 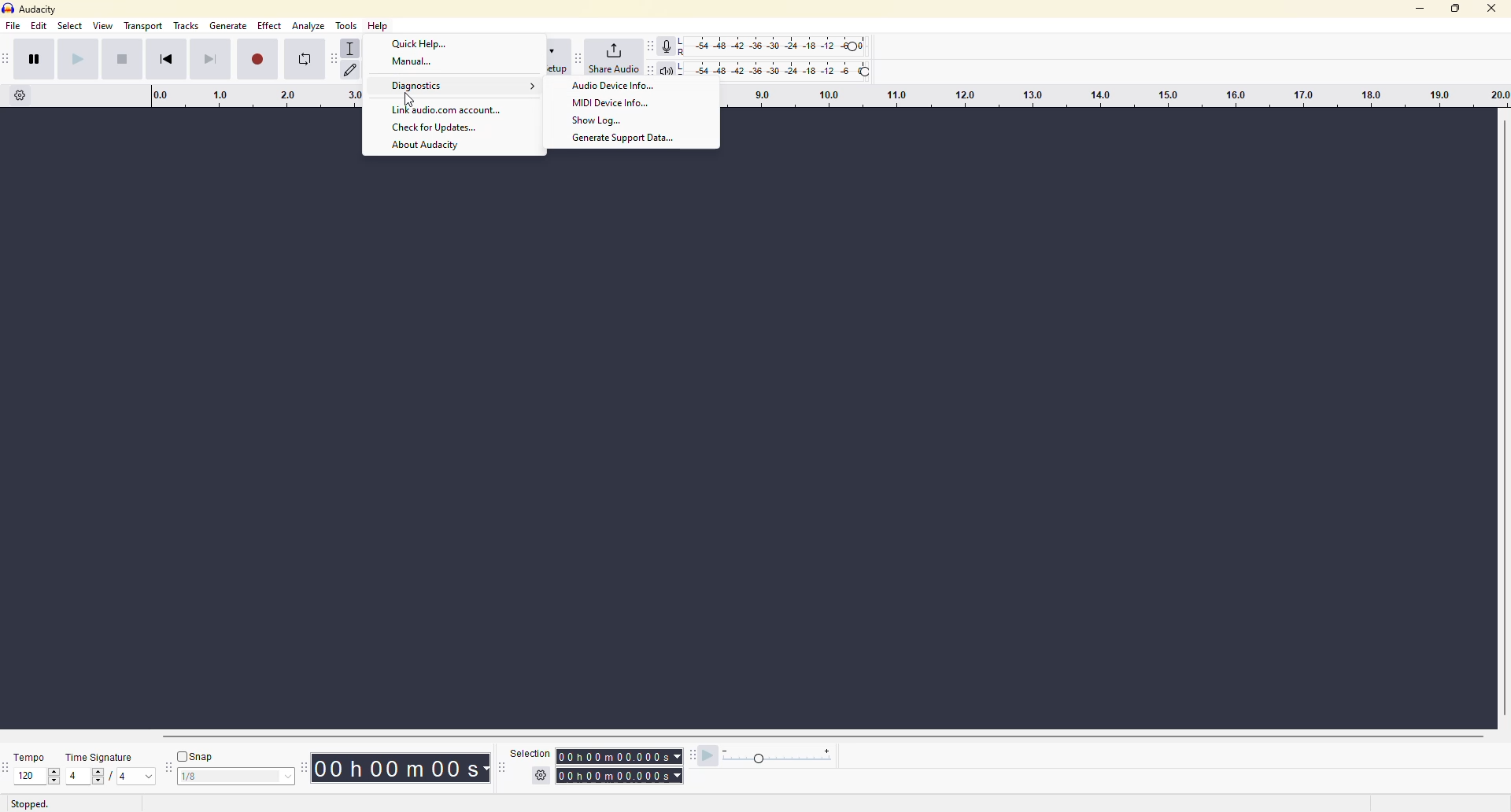 I want to click on settings, so click(x=538, y=776).